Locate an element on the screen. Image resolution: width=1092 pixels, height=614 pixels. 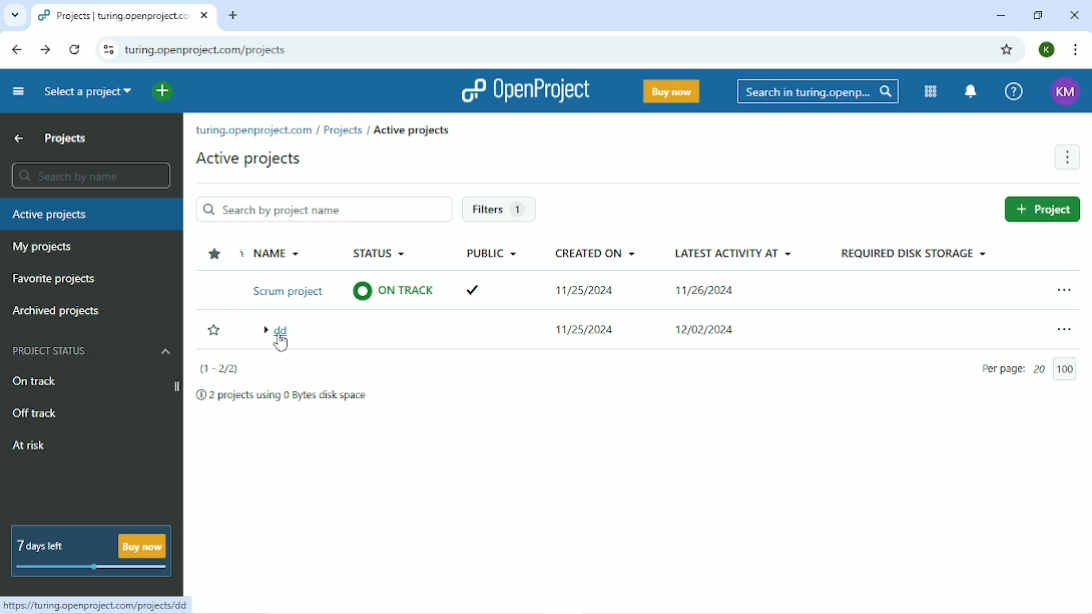
turing.openproject.com is located at coordinates (253, 130).